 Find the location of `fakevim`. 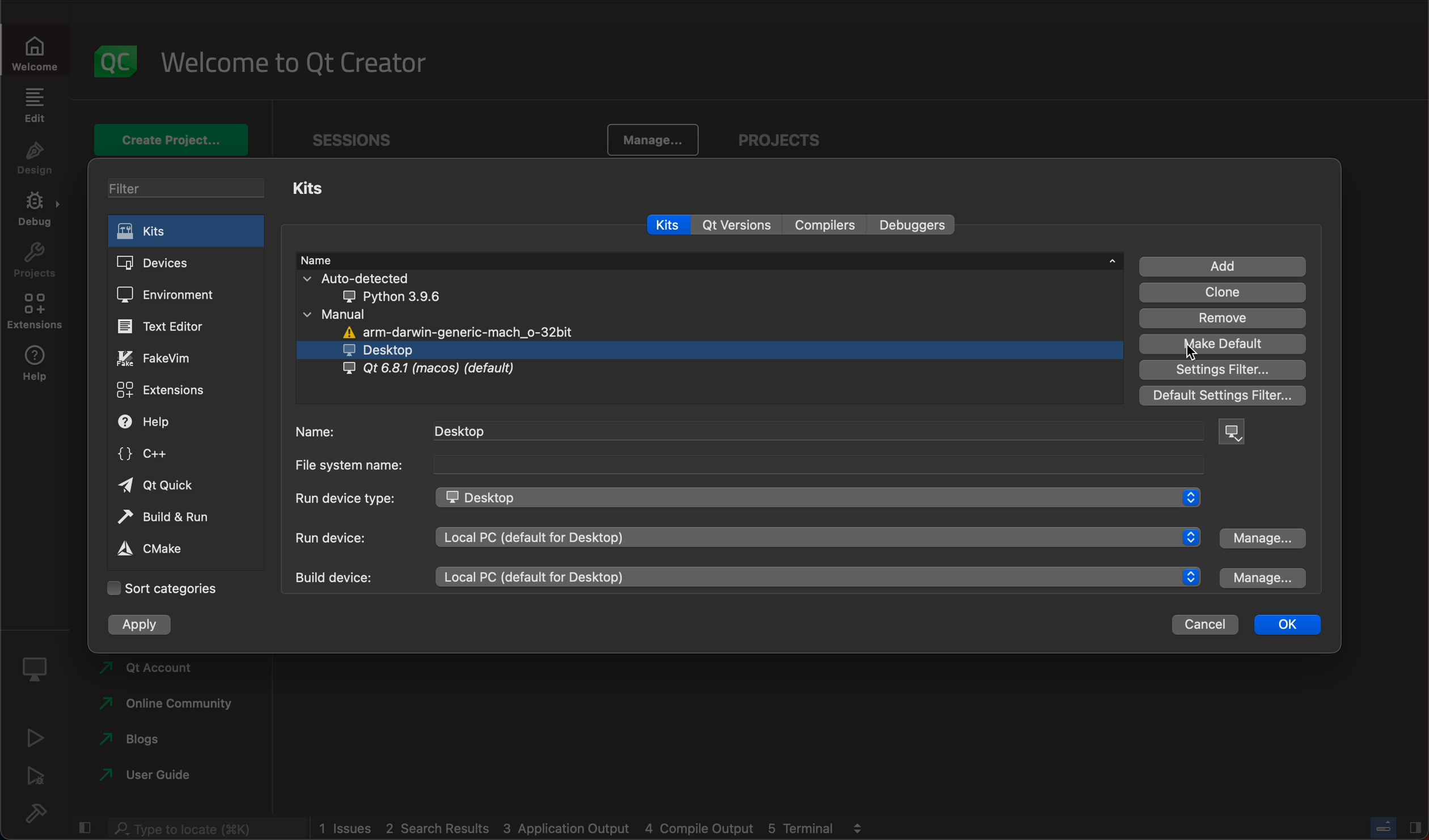

fakevim is located at coordinates (159, 357).